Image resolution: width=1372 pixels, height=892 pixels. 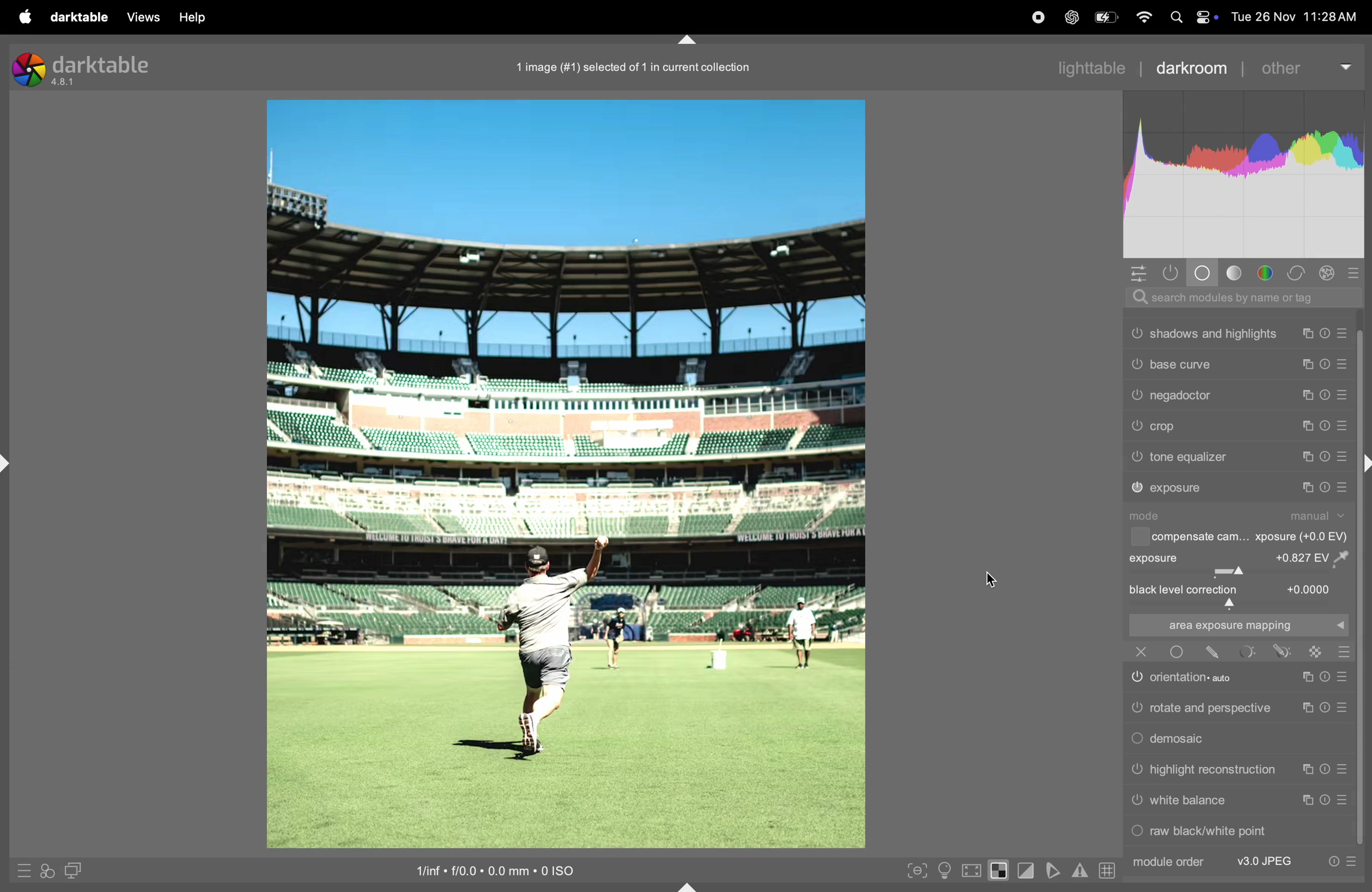 What do you see at coordinates (1201, 676) in the screenshot?
I see `orientation` at bounding box center [1201, 676].